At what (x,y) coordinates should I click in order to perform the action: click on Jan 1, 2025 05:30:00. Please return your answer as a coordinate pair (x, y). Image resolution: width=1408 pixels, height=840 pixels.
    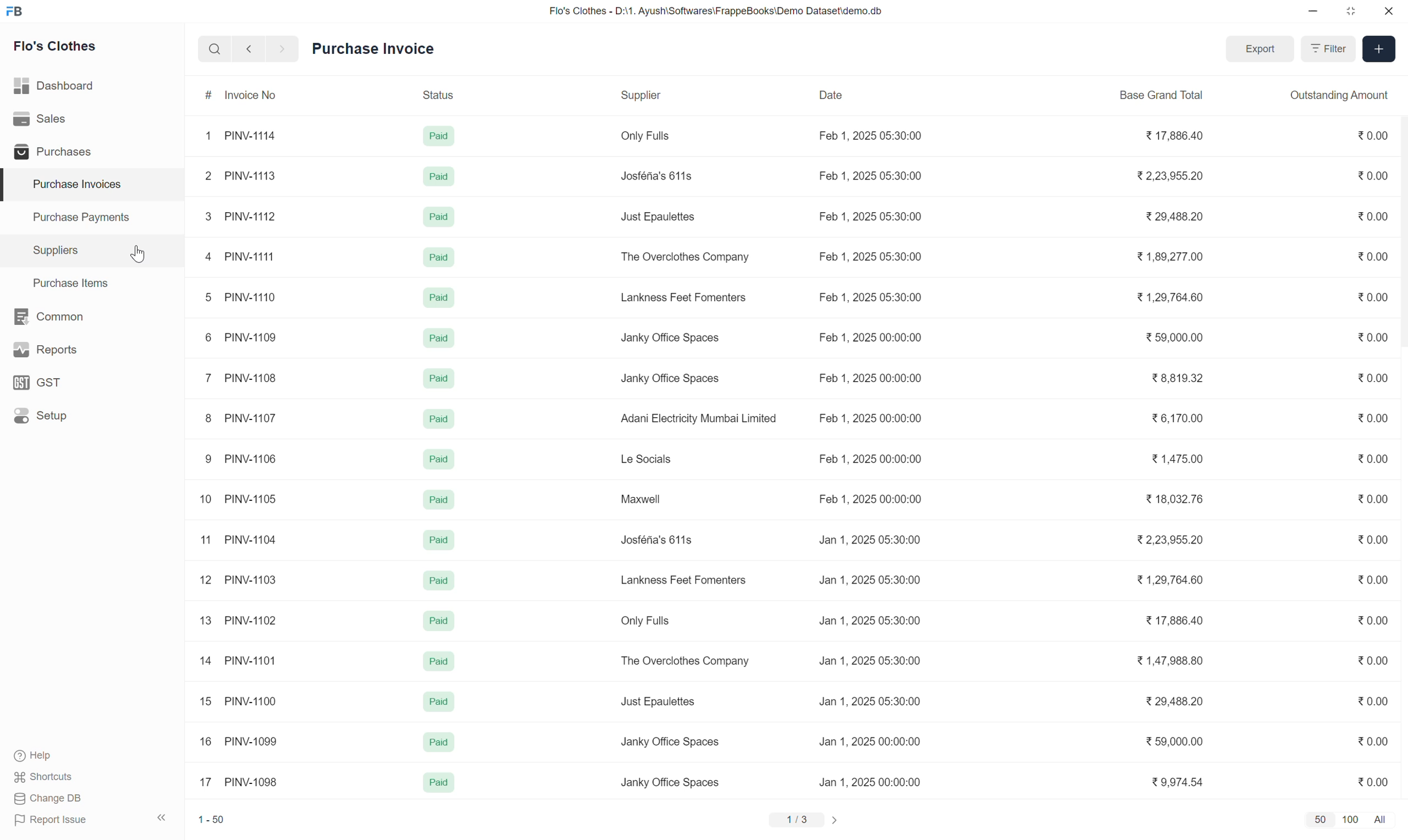
    Looking at the image, I should click on (872, 702).